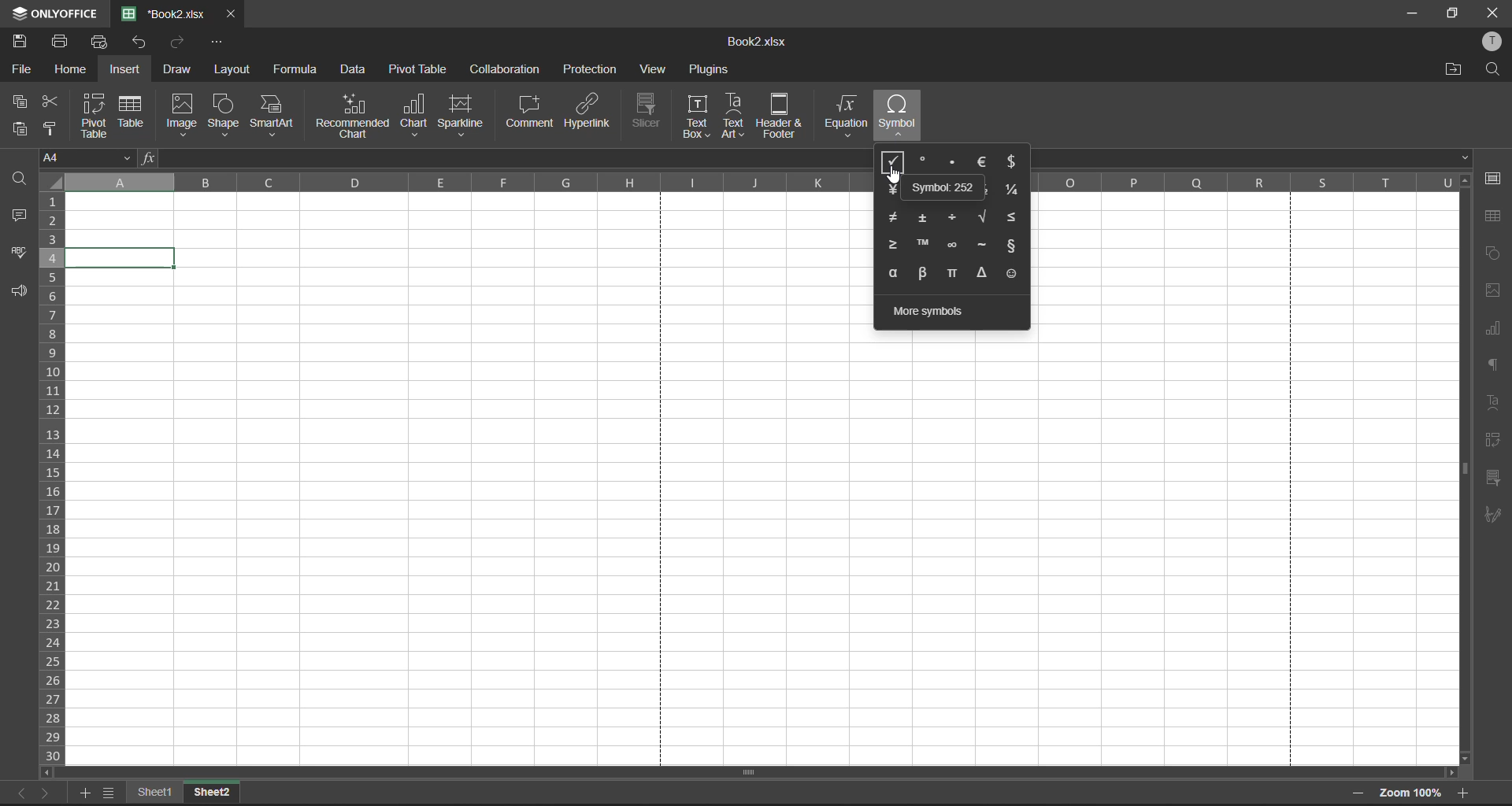 This screenshot has height=806, width=1512. I want to click on tooltip, so click(947, 188).